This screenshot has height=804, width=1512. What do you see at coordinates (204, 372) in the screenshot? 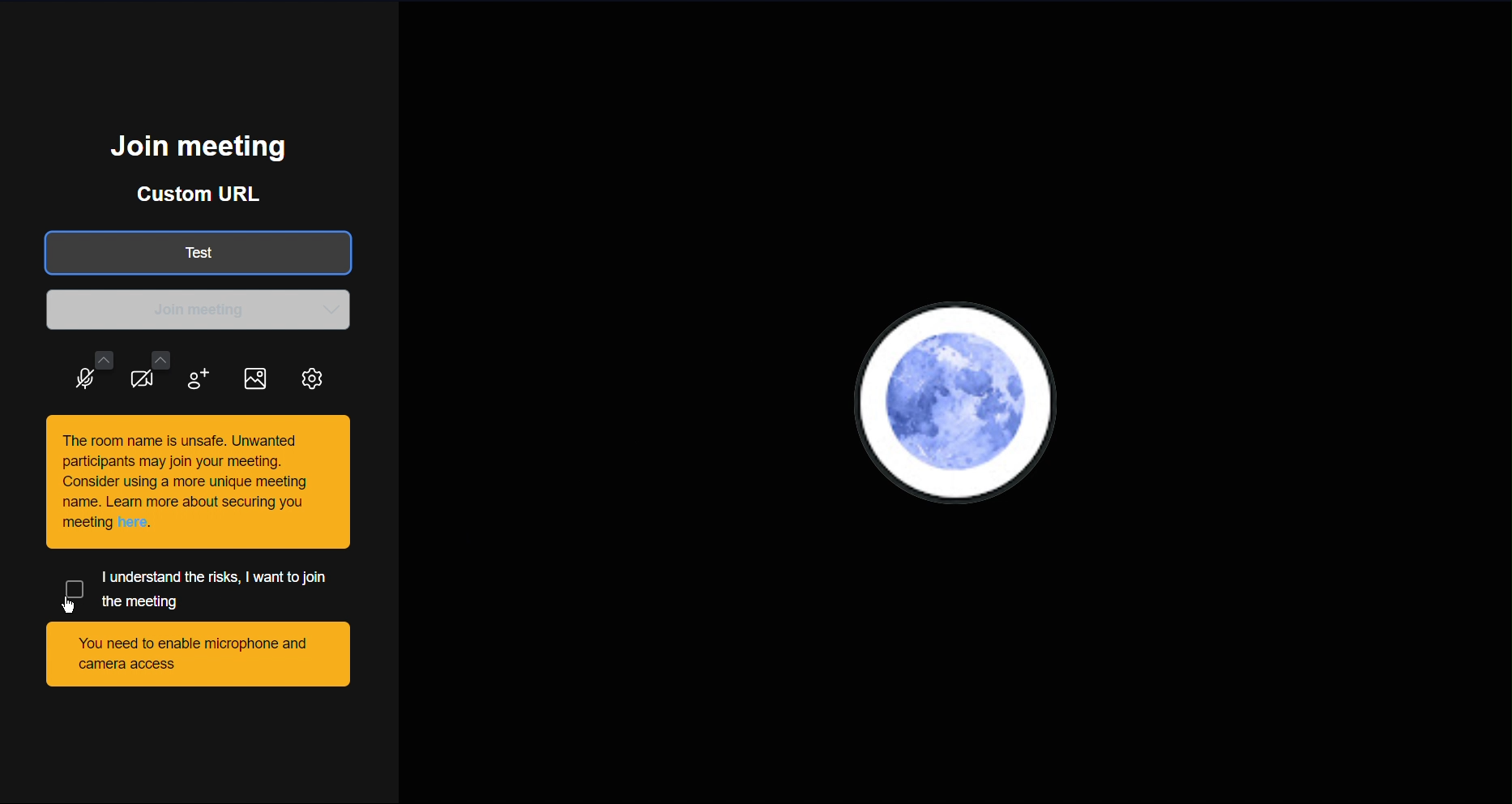
I see `Add participant` at bounding box center [204, 372].